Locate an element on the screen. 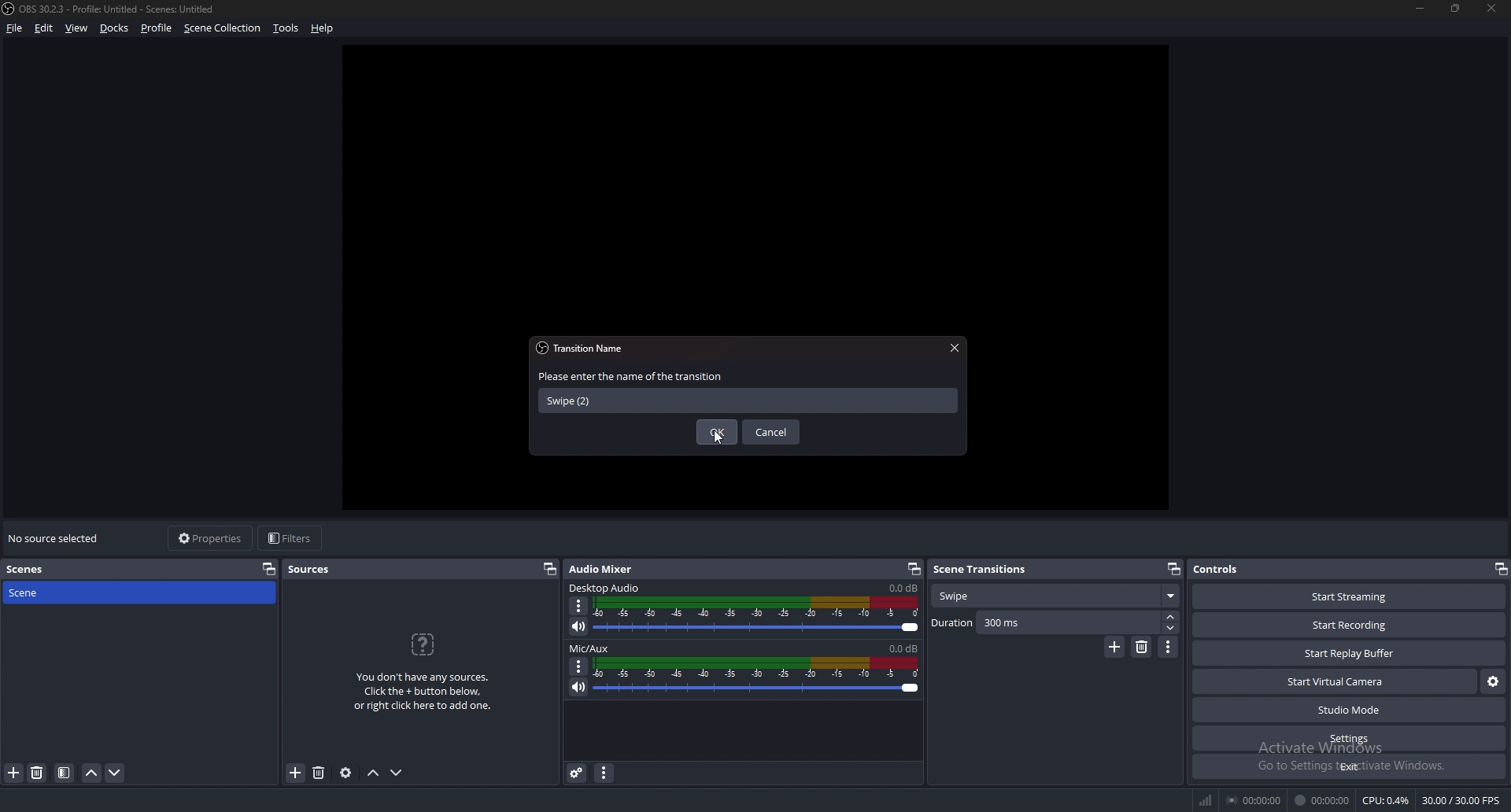 This screenshot has height=812, width=1511. 00:00:00 is located at coordinates (1254, 801).